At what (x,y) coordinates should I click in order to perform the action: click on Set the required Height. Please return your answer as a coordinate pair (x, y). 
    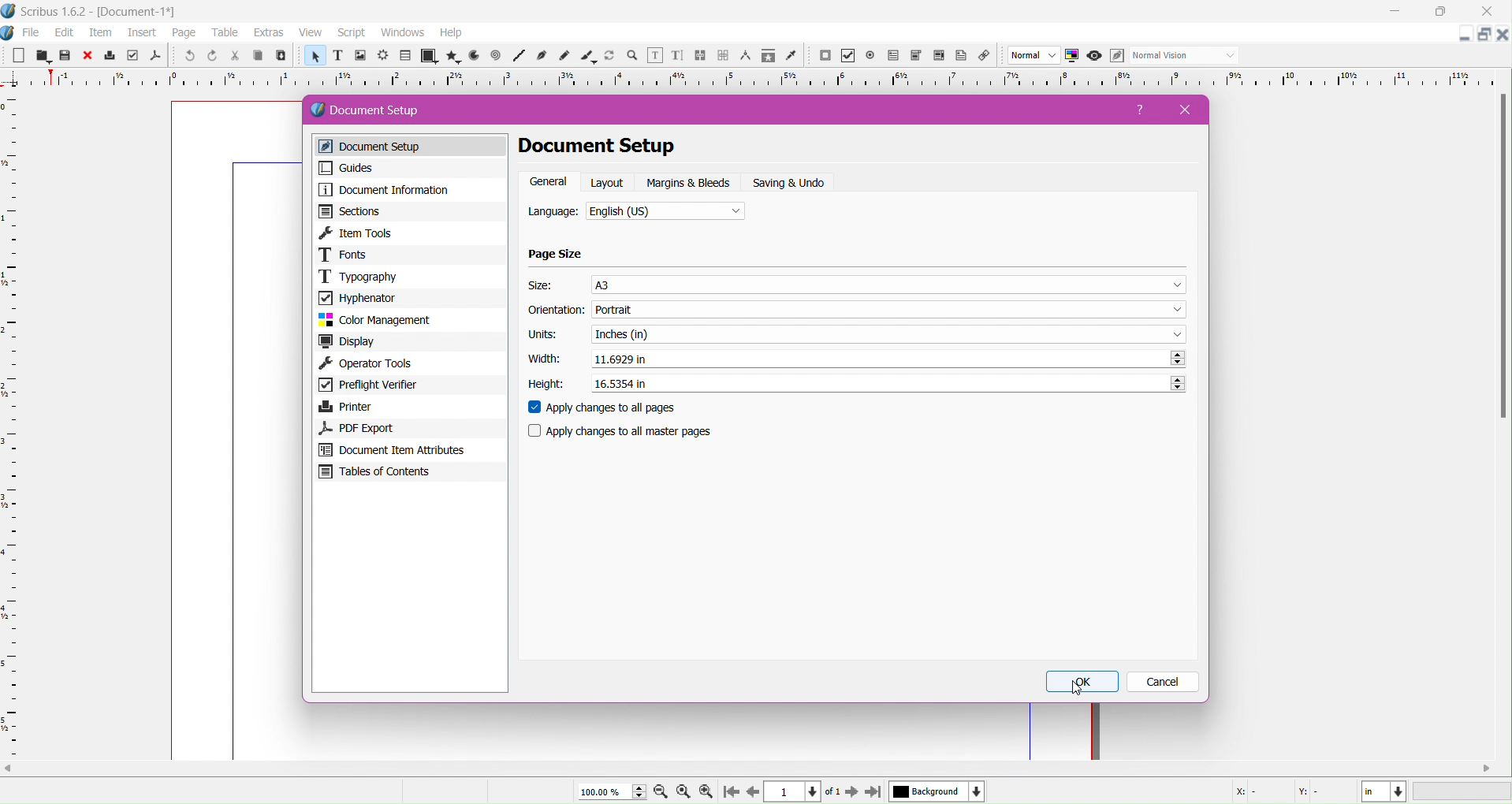
    Looking at the image, I should click on (887, 382).